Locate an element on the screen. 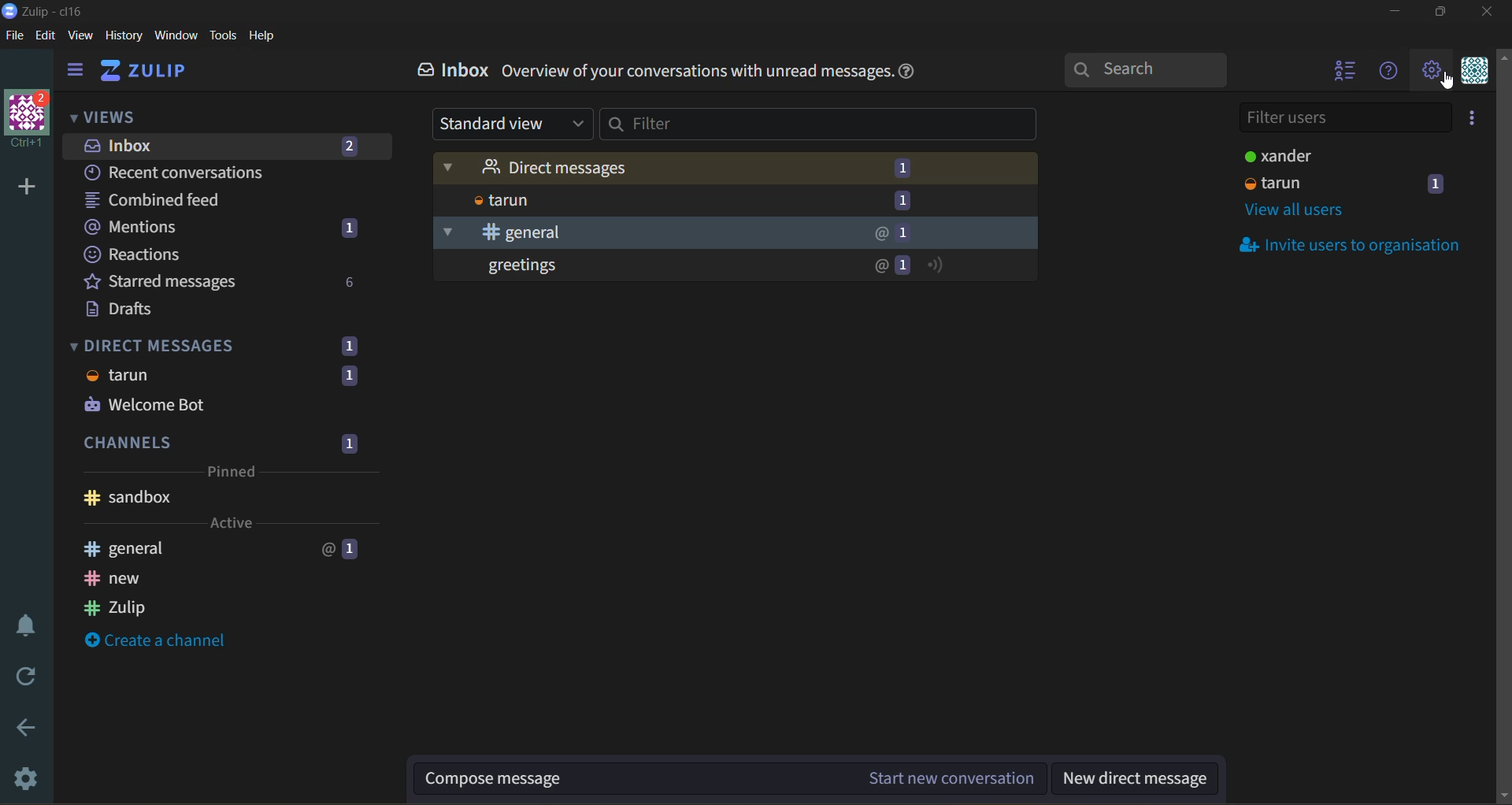 The width and height of the screenshot is (1512, 805). reactions is located at coordinates (215, 256).